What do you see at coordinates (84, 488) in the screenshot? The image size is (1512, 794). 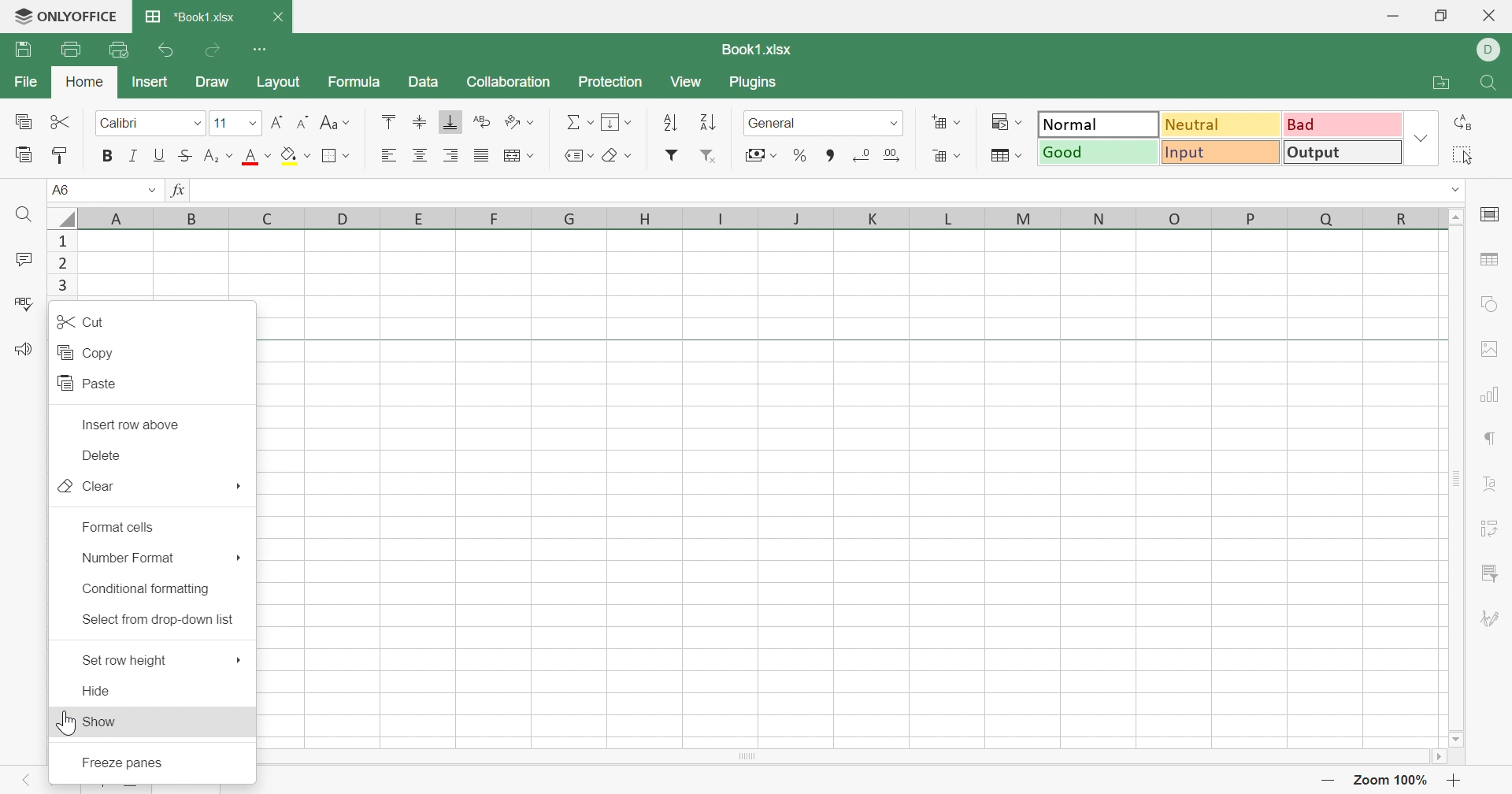 I see `Clear` at bounding box center [84, 488].